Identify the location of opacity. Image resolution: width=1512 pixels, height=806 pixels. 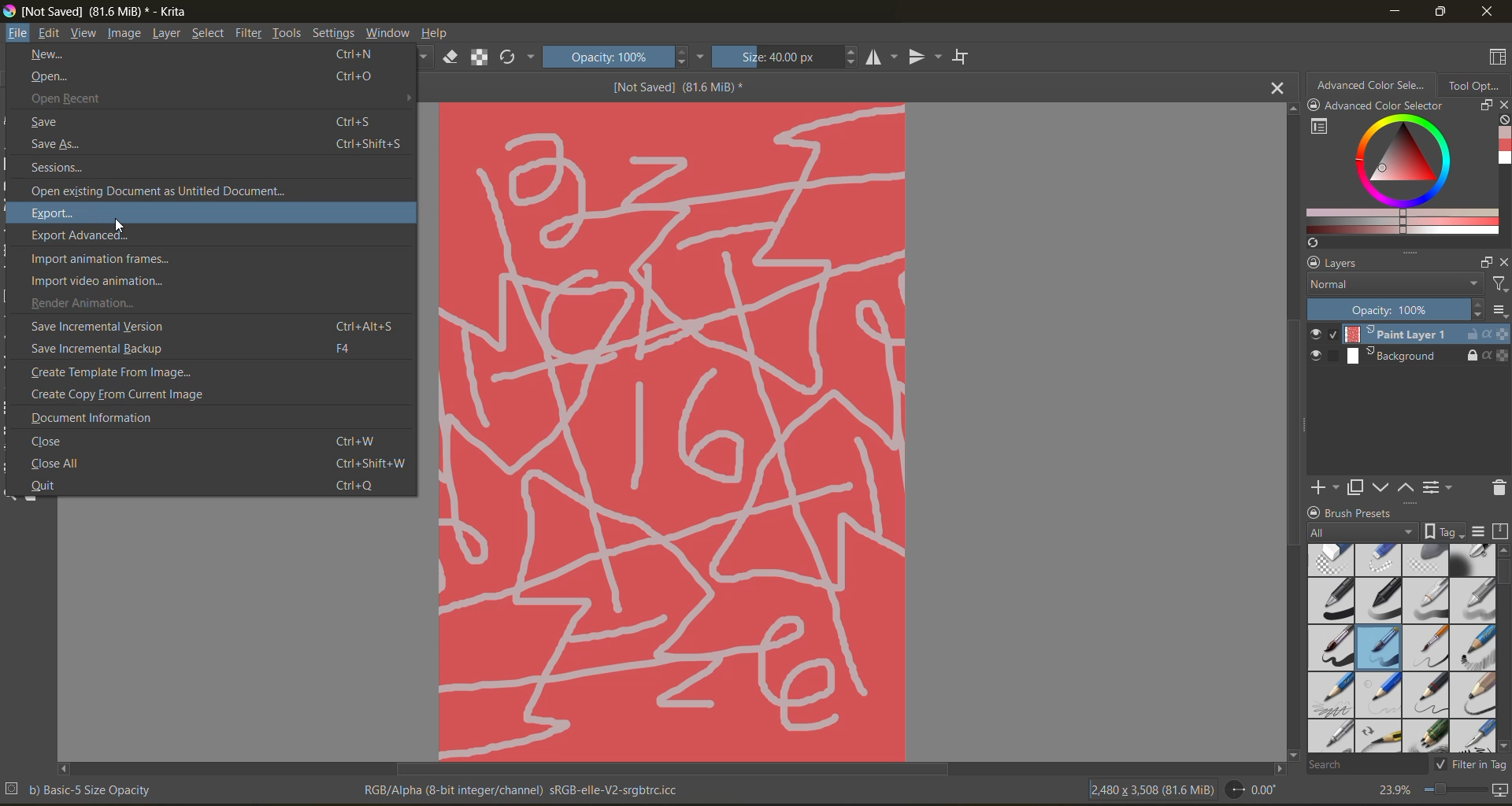
(1408, 310).